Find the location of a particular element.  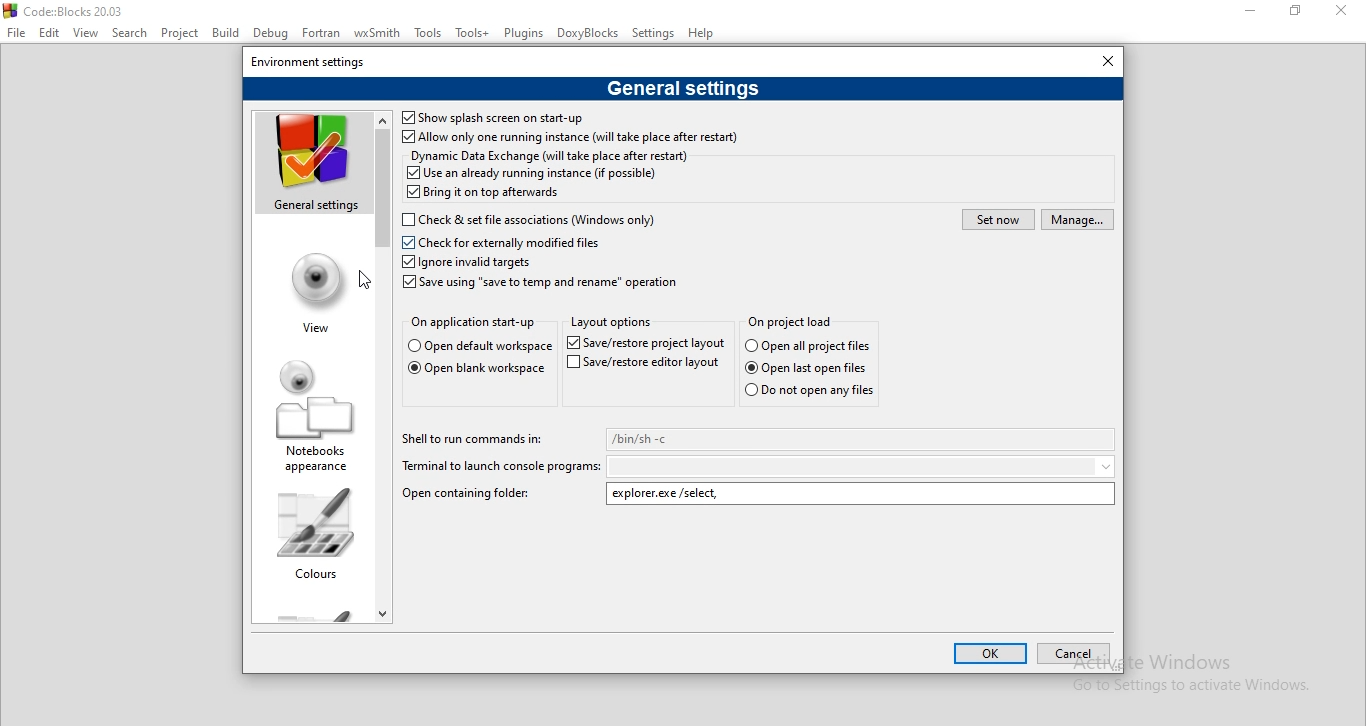

/bin/sh-c is located at coordinates (862, 440).